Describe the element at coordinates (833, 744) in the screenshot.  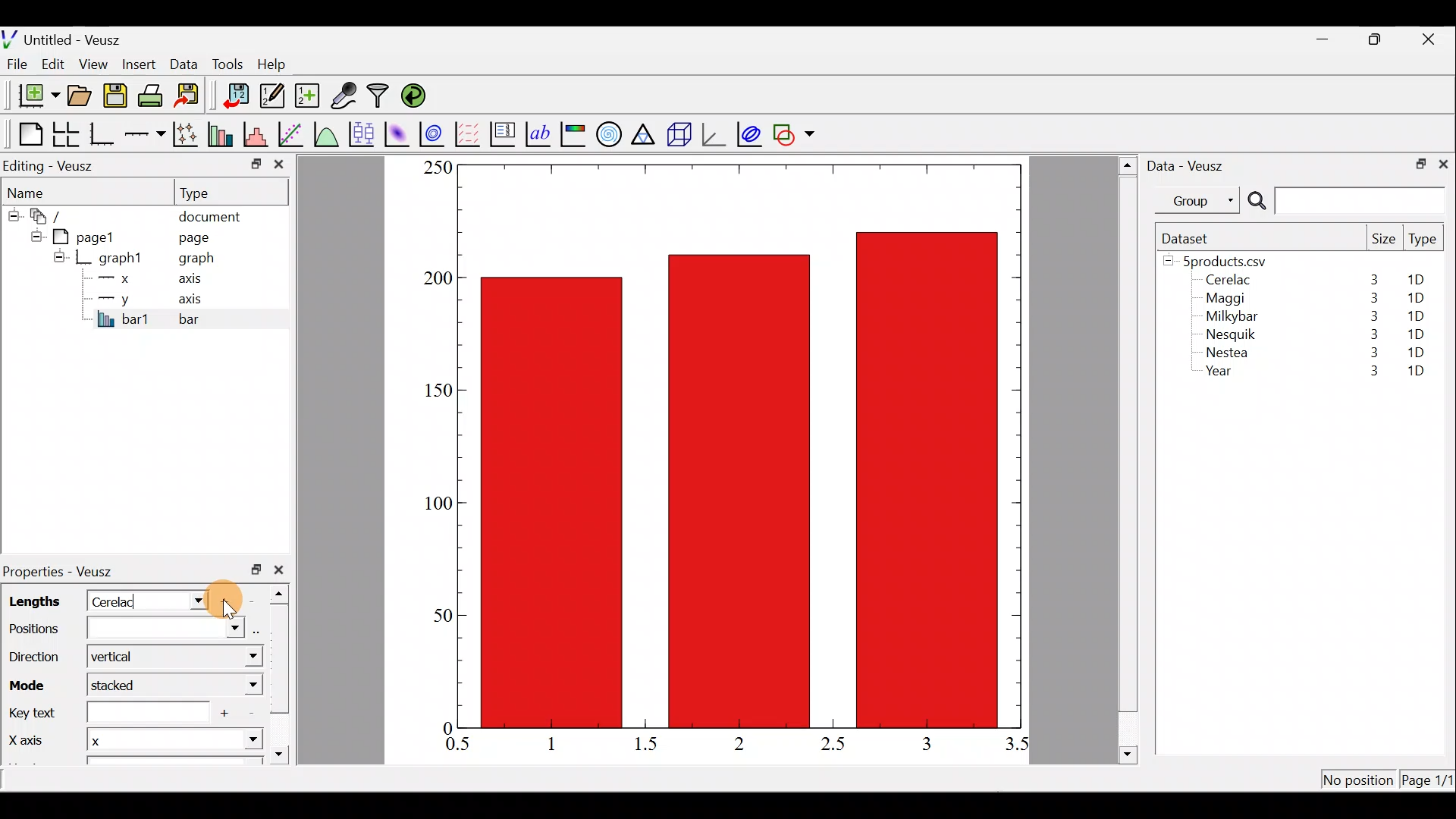
I see `2.5` at that location.